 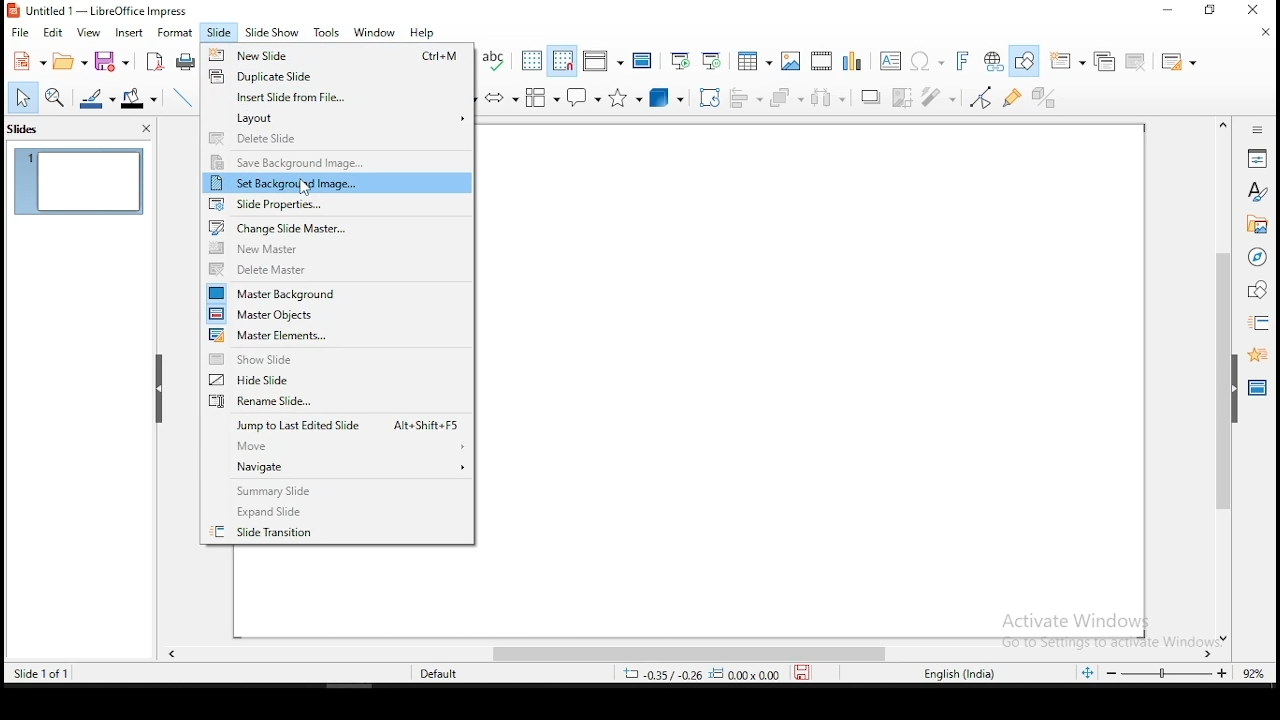 What do you see at coordinates (1257, 158) in the screenshot?
I see `properties` at bounding box center [1257, 158].